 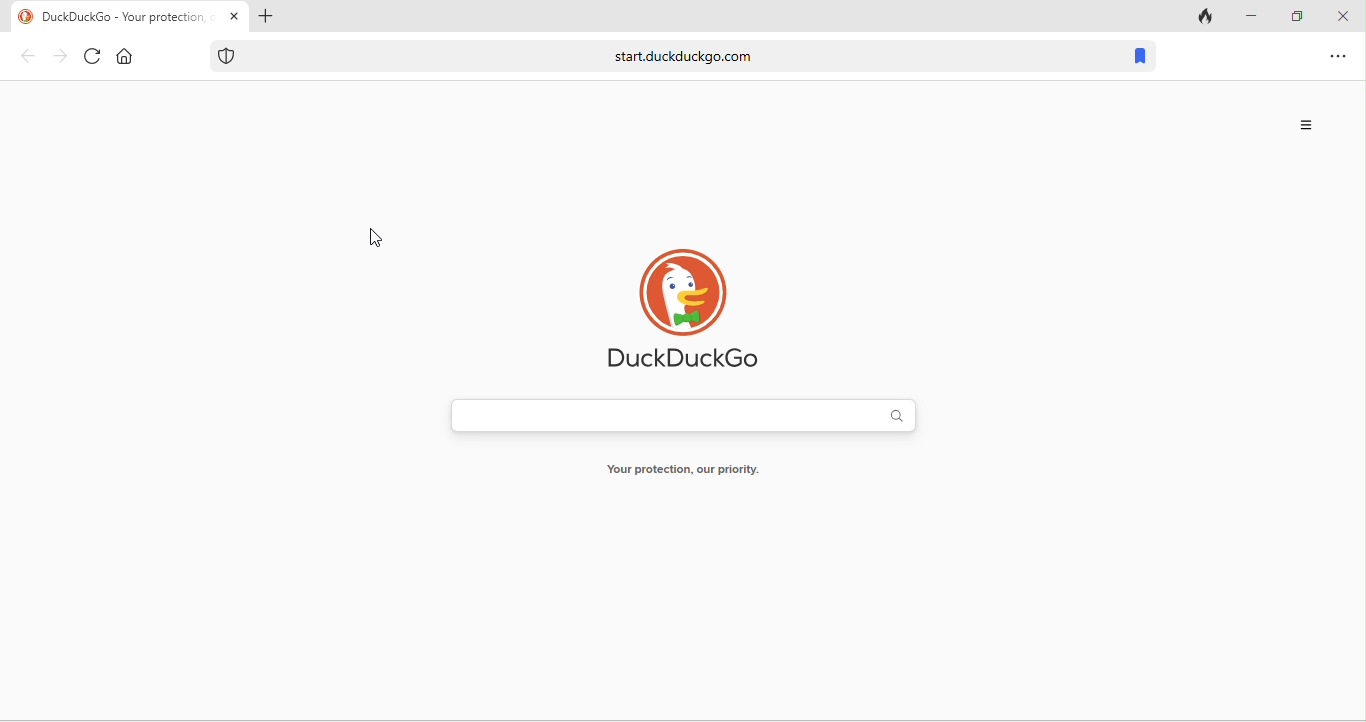 What do you see at coordinates (1296, 15) in the screenshot?
I see `minimize` at bounding box center [1296, 15].